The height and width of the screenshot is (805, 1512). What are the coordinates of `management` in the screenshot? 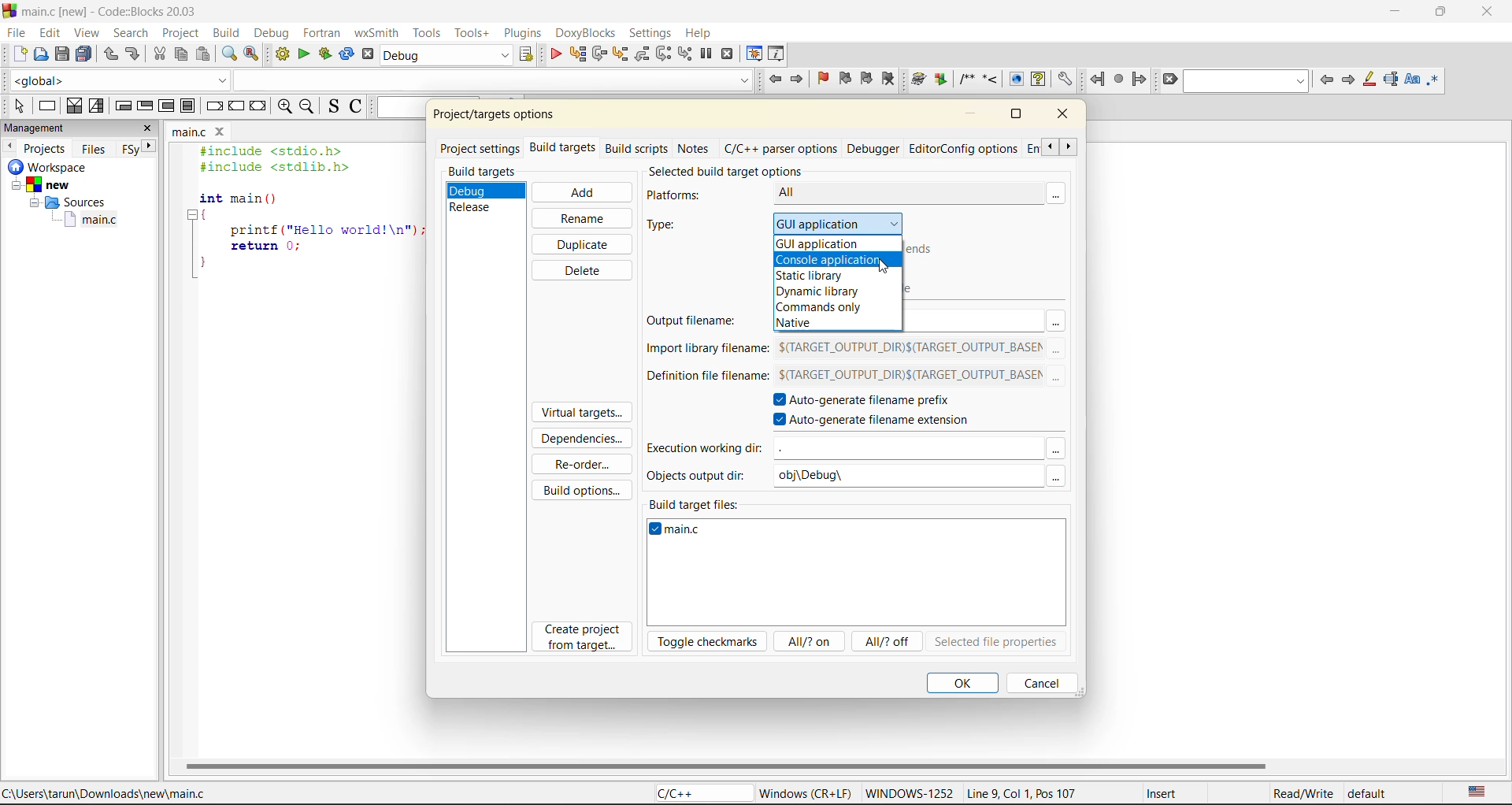 It's located at (37, 128).